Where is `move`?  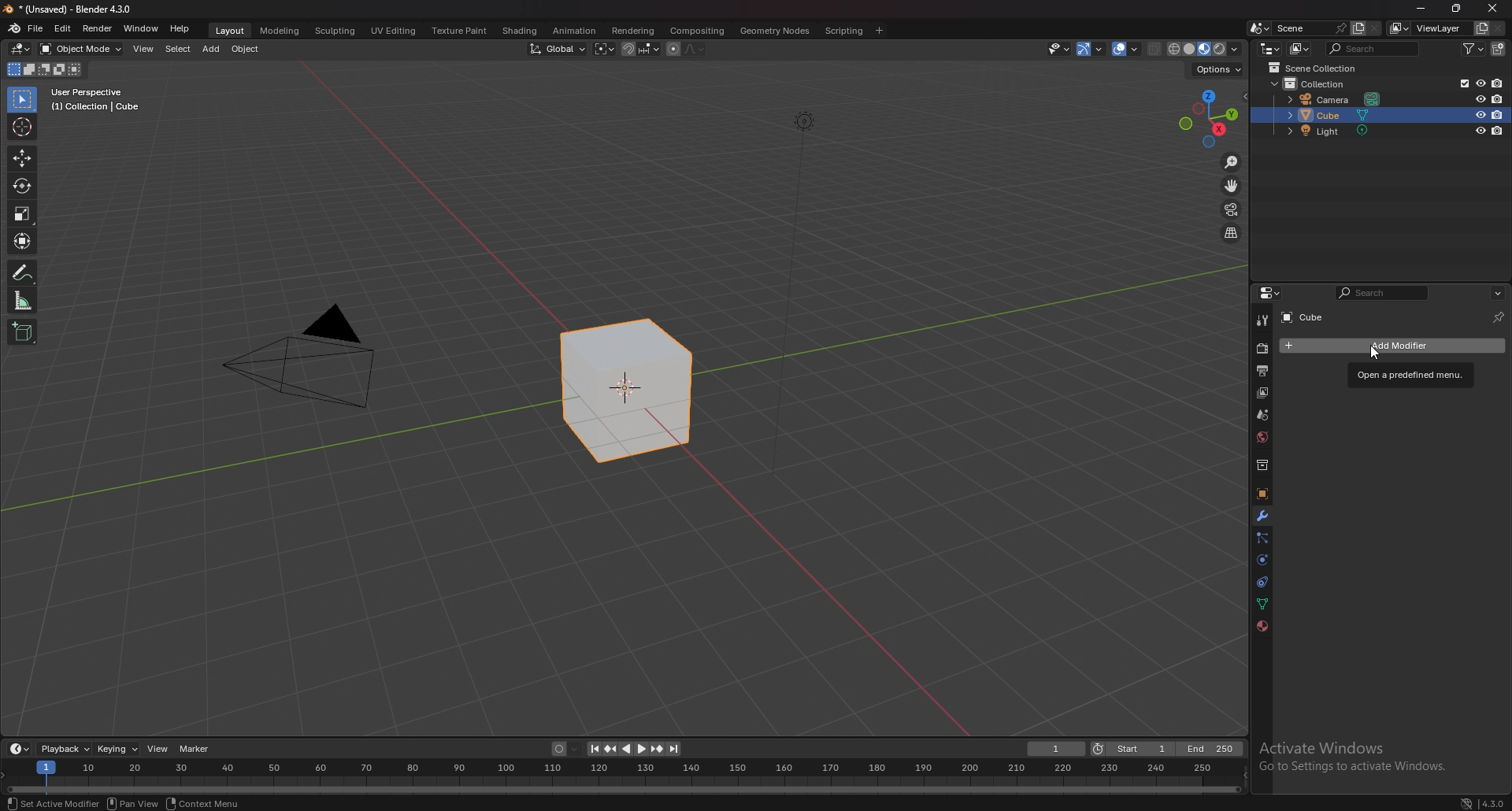
move is located at coordinates (24, 157).